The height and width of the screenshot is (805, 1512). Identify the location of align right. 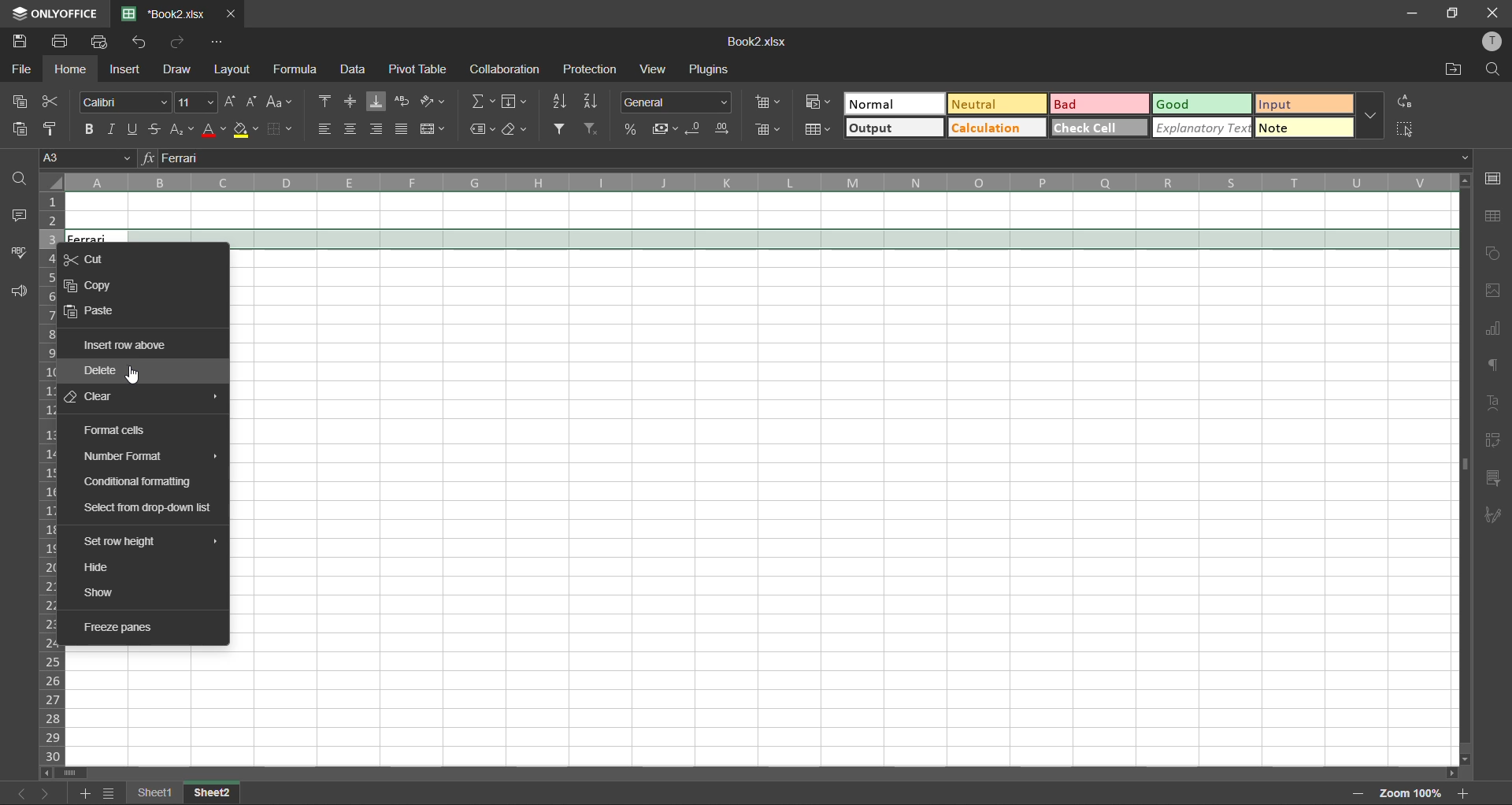
(380, 129).